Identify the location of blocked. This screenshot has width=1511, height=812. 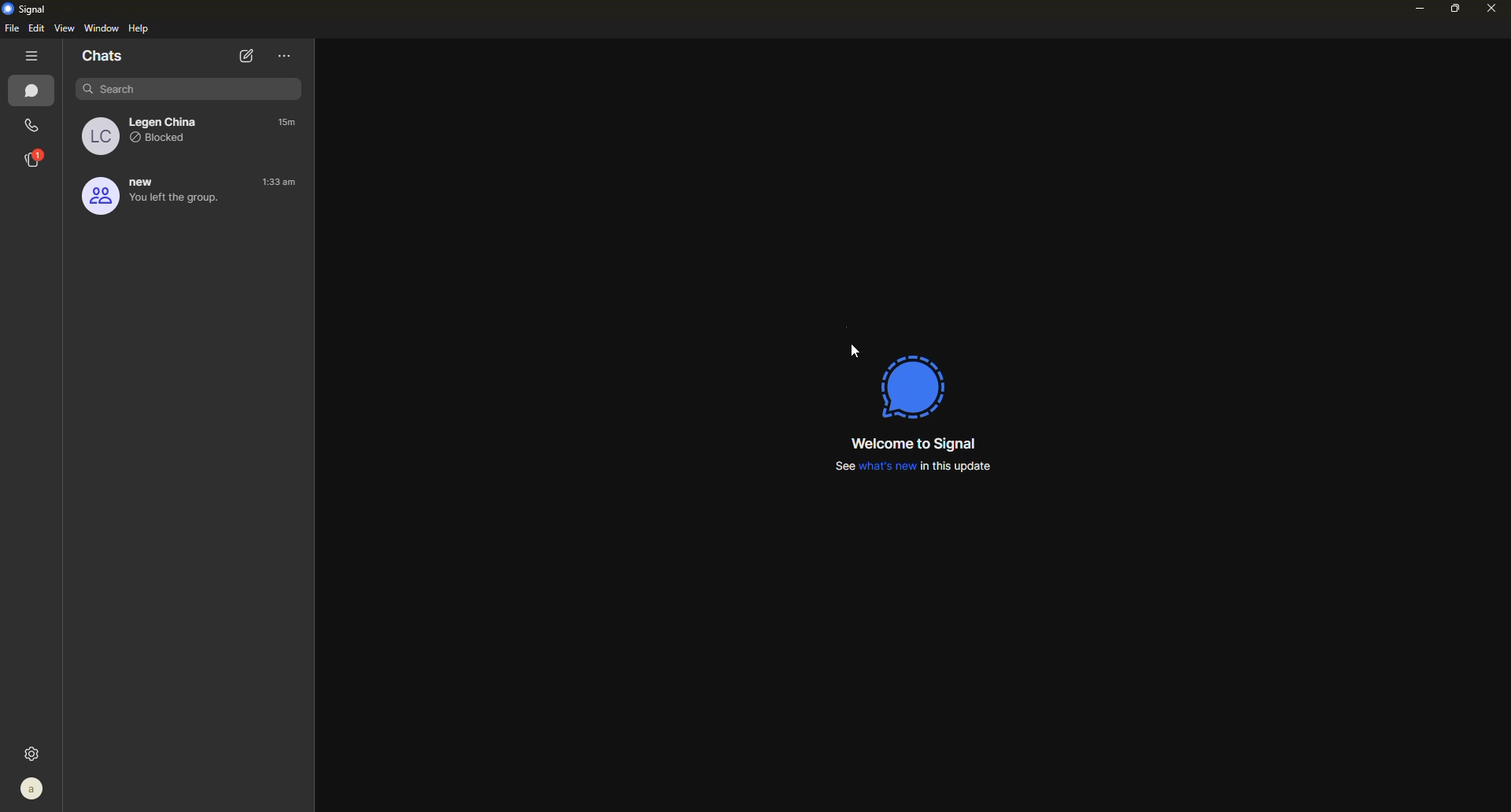
(165, 142).